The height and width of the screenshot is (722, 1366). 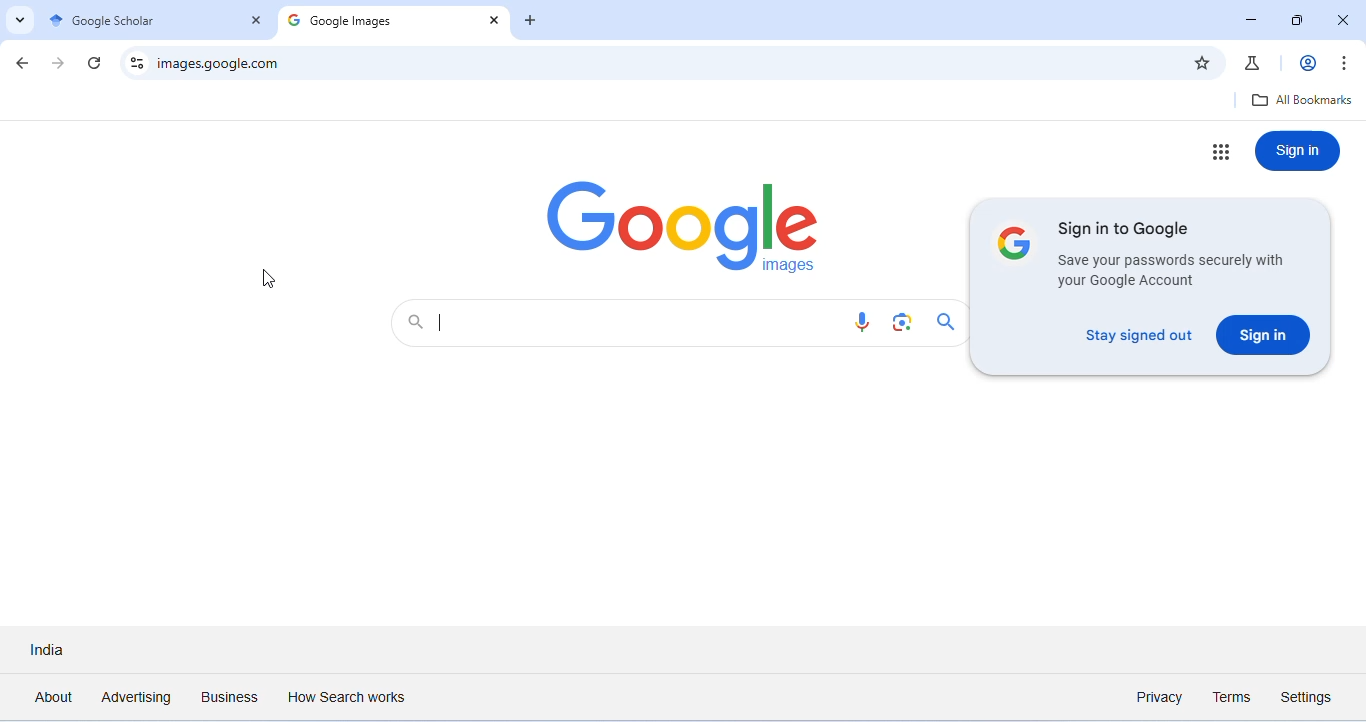 What do you see at coordinates (1306, 62) in the screenshot?
I see `account` at bounding box center [1306, 62].